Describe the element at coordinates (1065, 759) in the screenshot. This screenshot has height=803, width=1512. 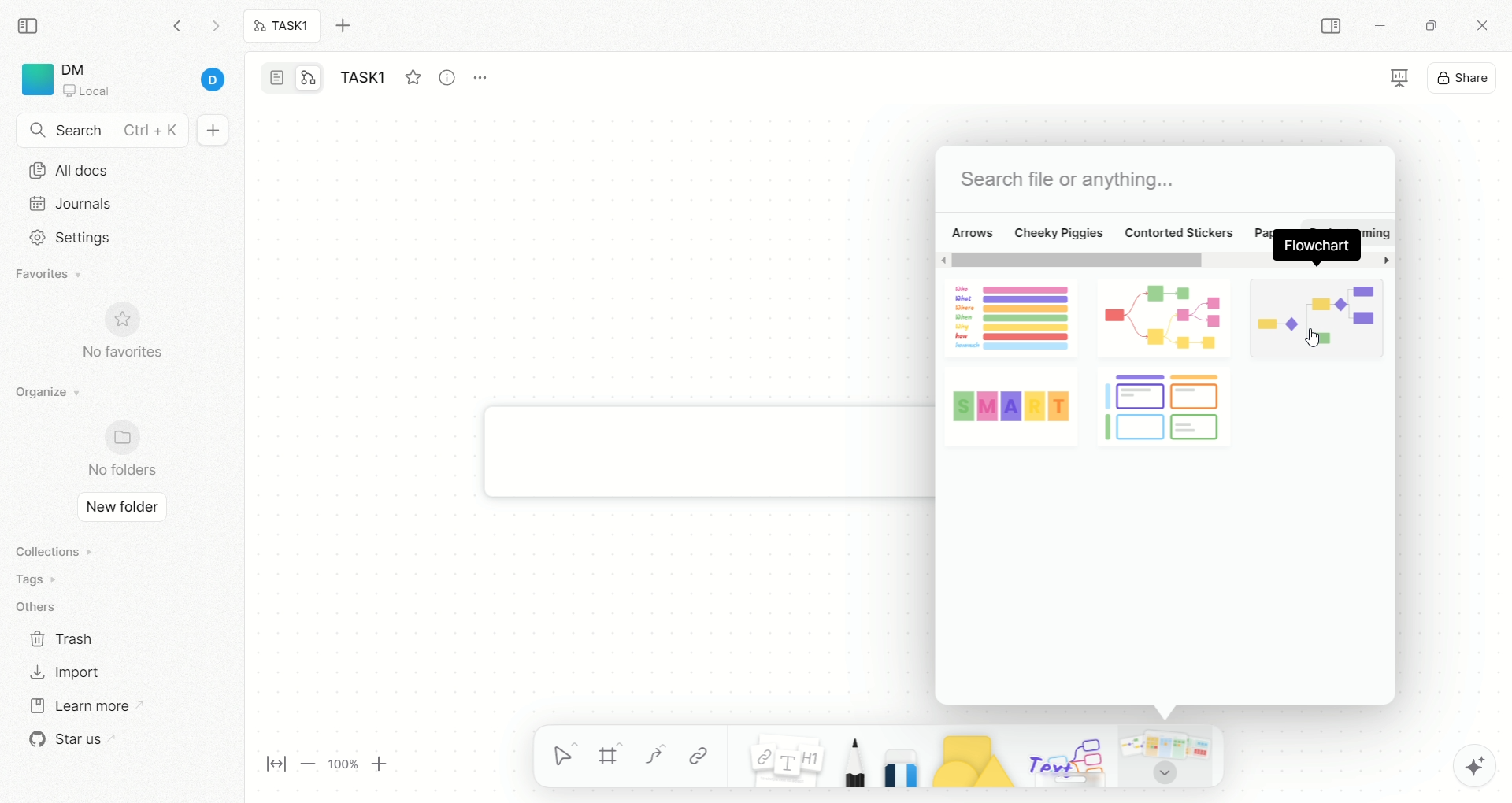
I see `text` at that location.